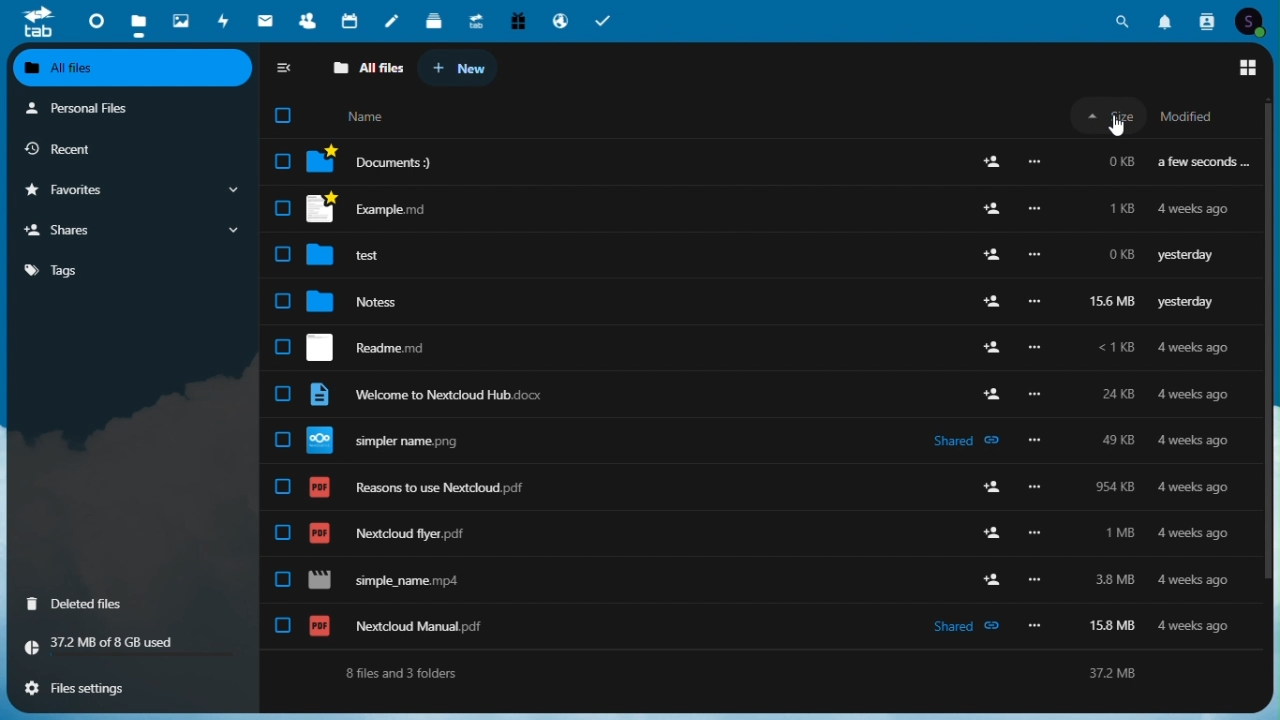 The width and height of the screenshot is (1280, 720). I want to click on deck, so click(435, 18).